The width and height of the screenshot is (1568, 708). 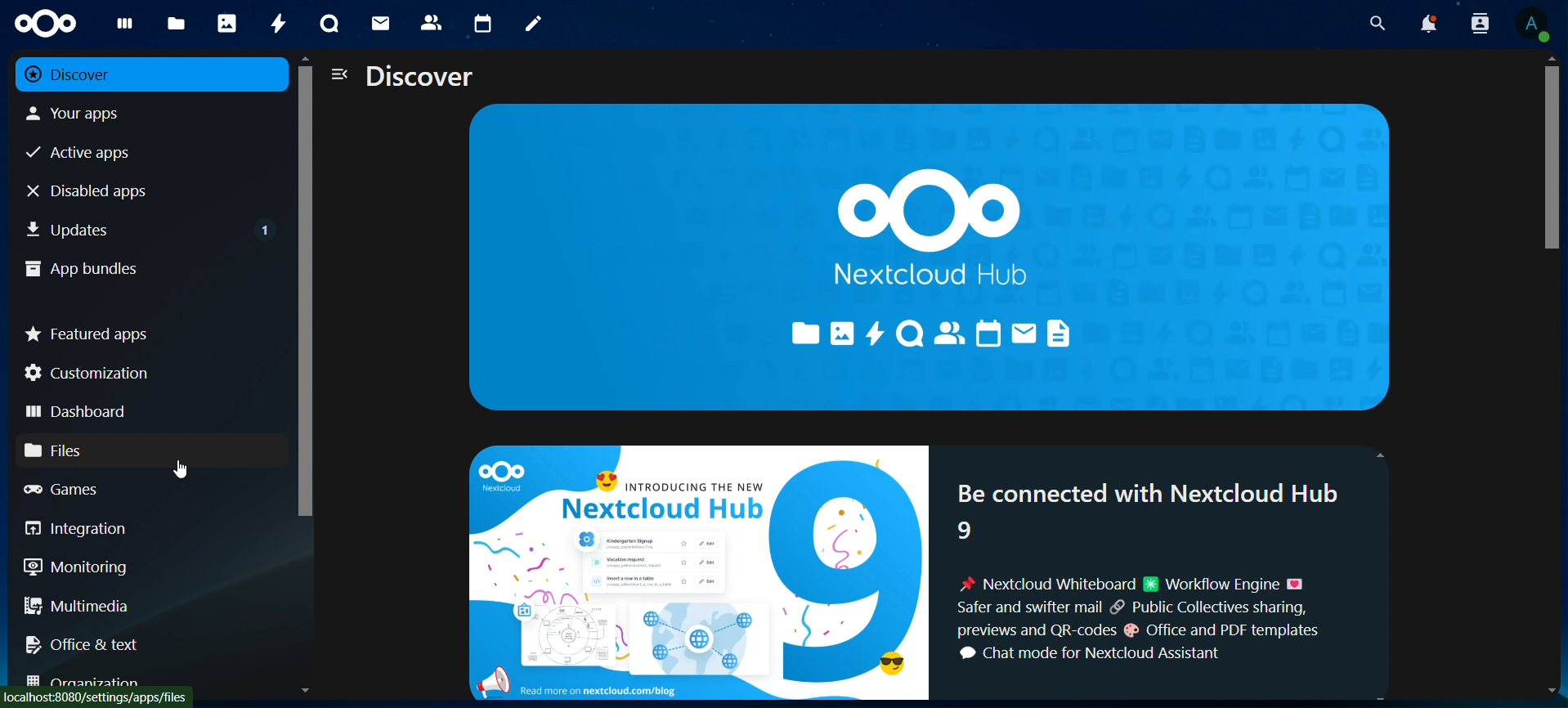 I want to click on active apps, so click(x=85, y=154).